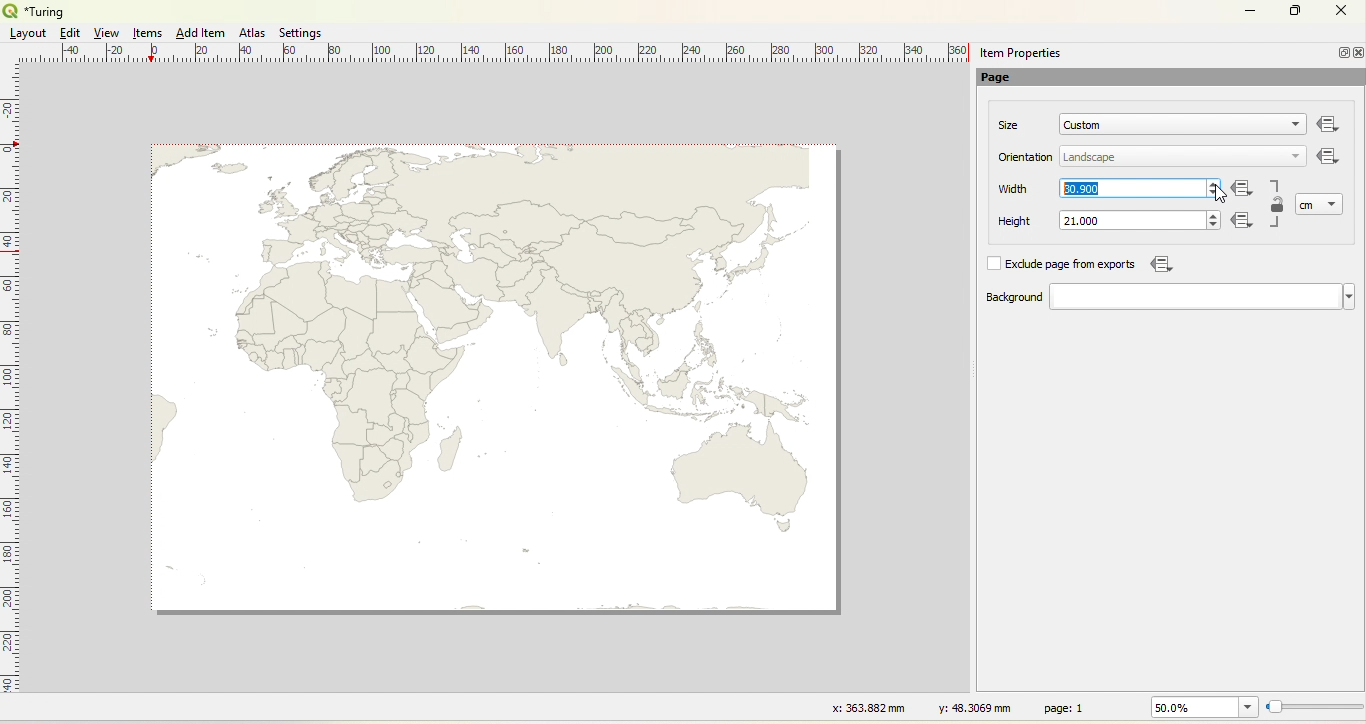 The width and height of the screenshot is (1366, 724). Describe the element at coordinates (992, 263) in the screenshot. I see `Check box` at that location.